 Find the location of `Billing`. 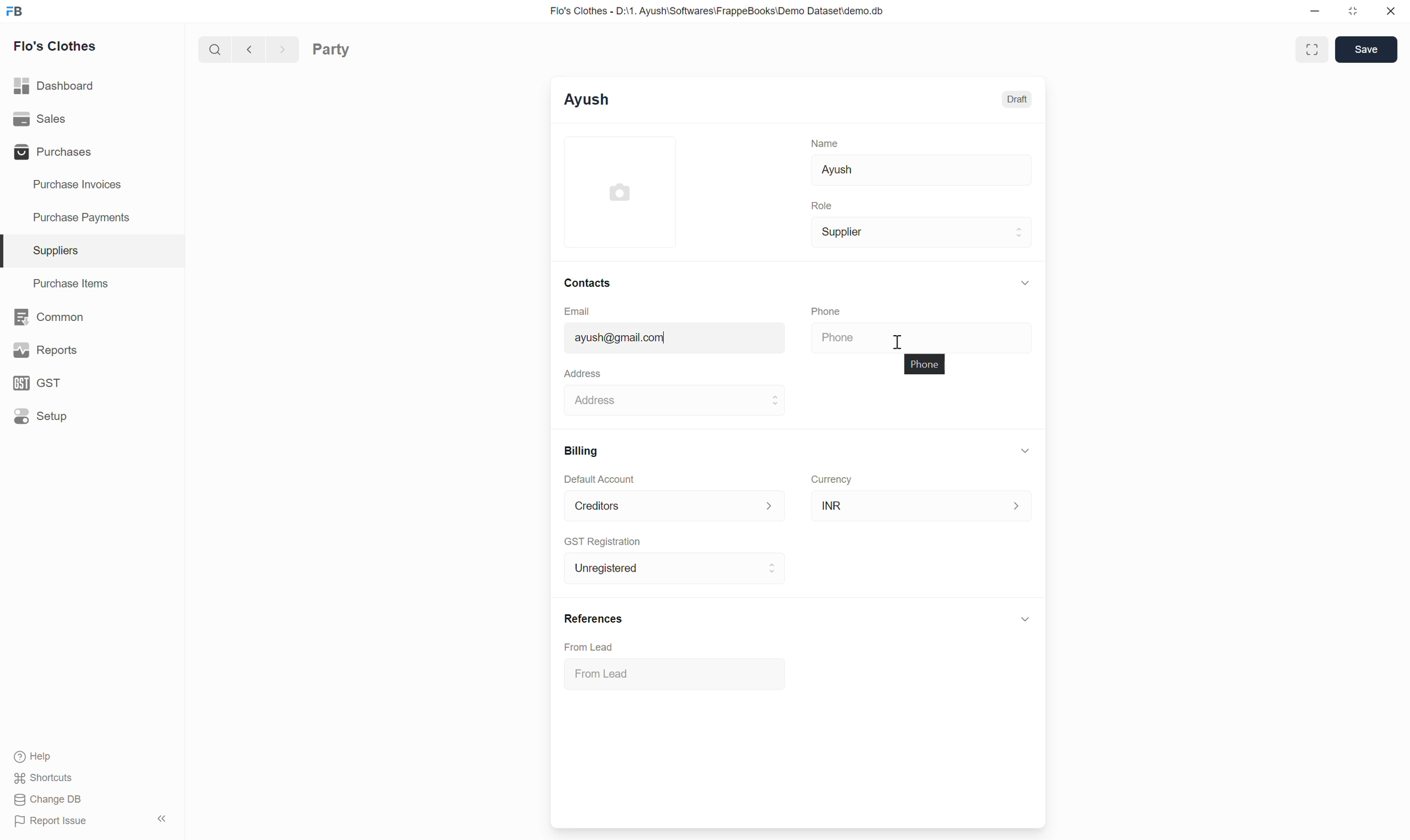

Billing is located at coordinates (581, 451).